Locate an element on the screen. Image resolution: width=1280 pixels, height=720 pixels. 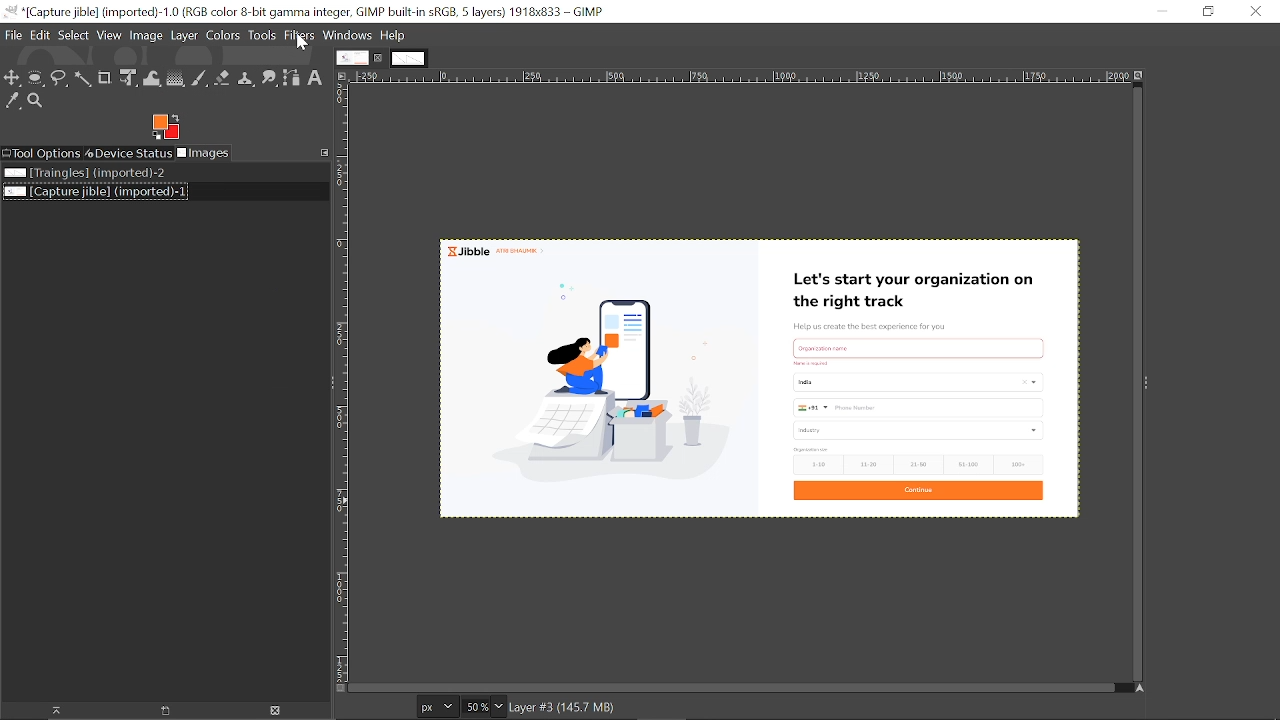
Current file is located at coordinates (94, 191).